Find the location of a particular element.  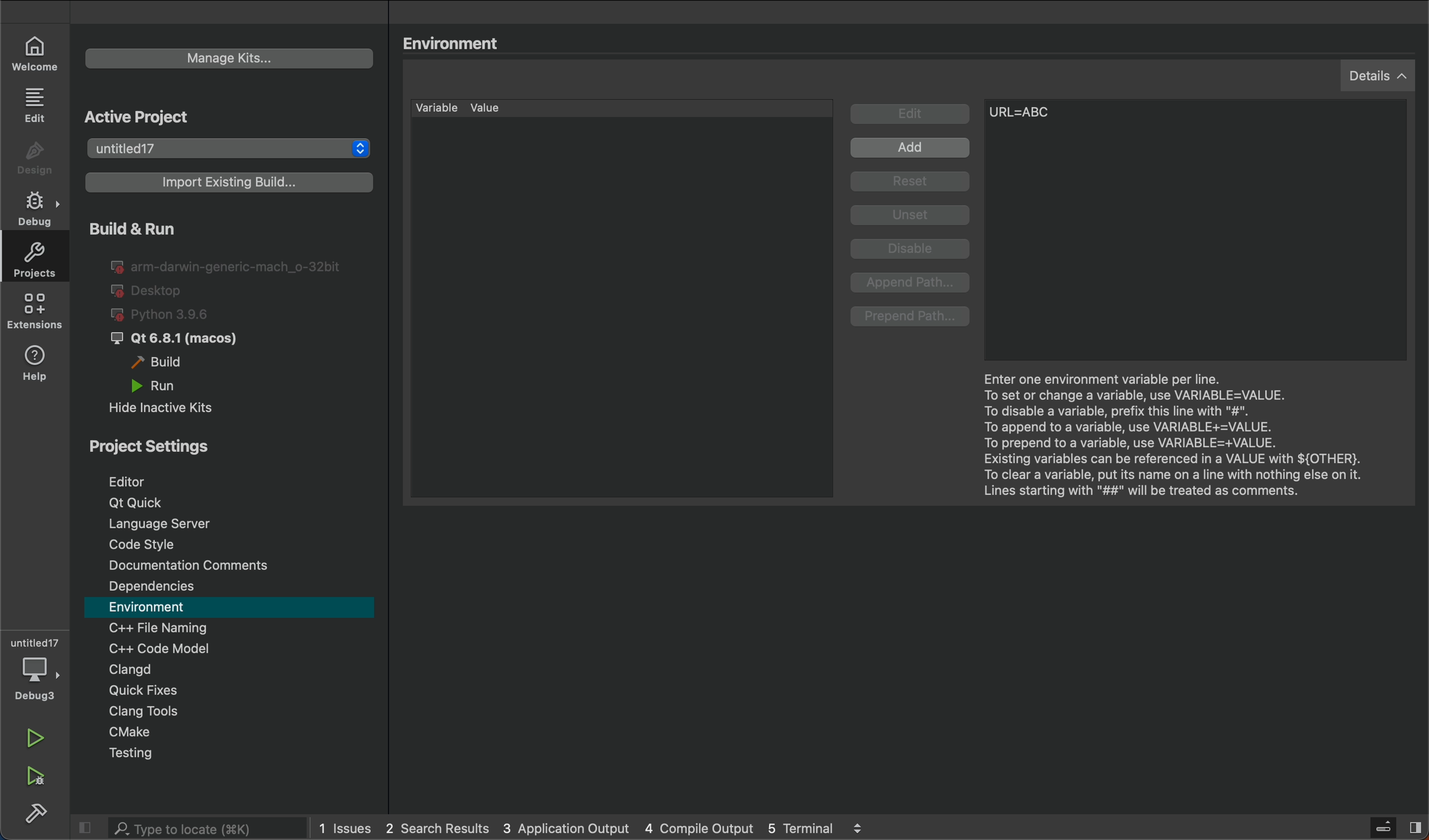

Add is located at coordinates (913, 149).